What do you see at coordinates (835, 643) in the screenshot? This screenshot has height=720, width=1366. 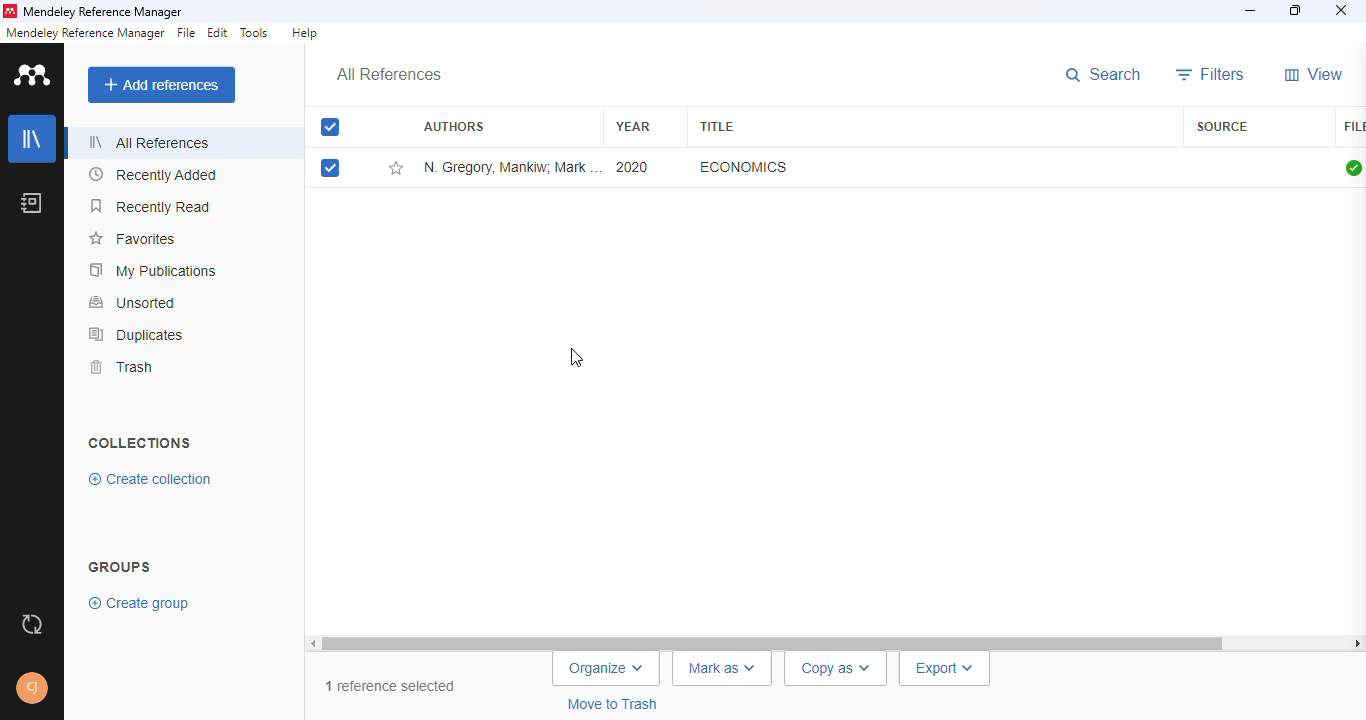 I see `scrollbar` at bounding box center [835, 643].